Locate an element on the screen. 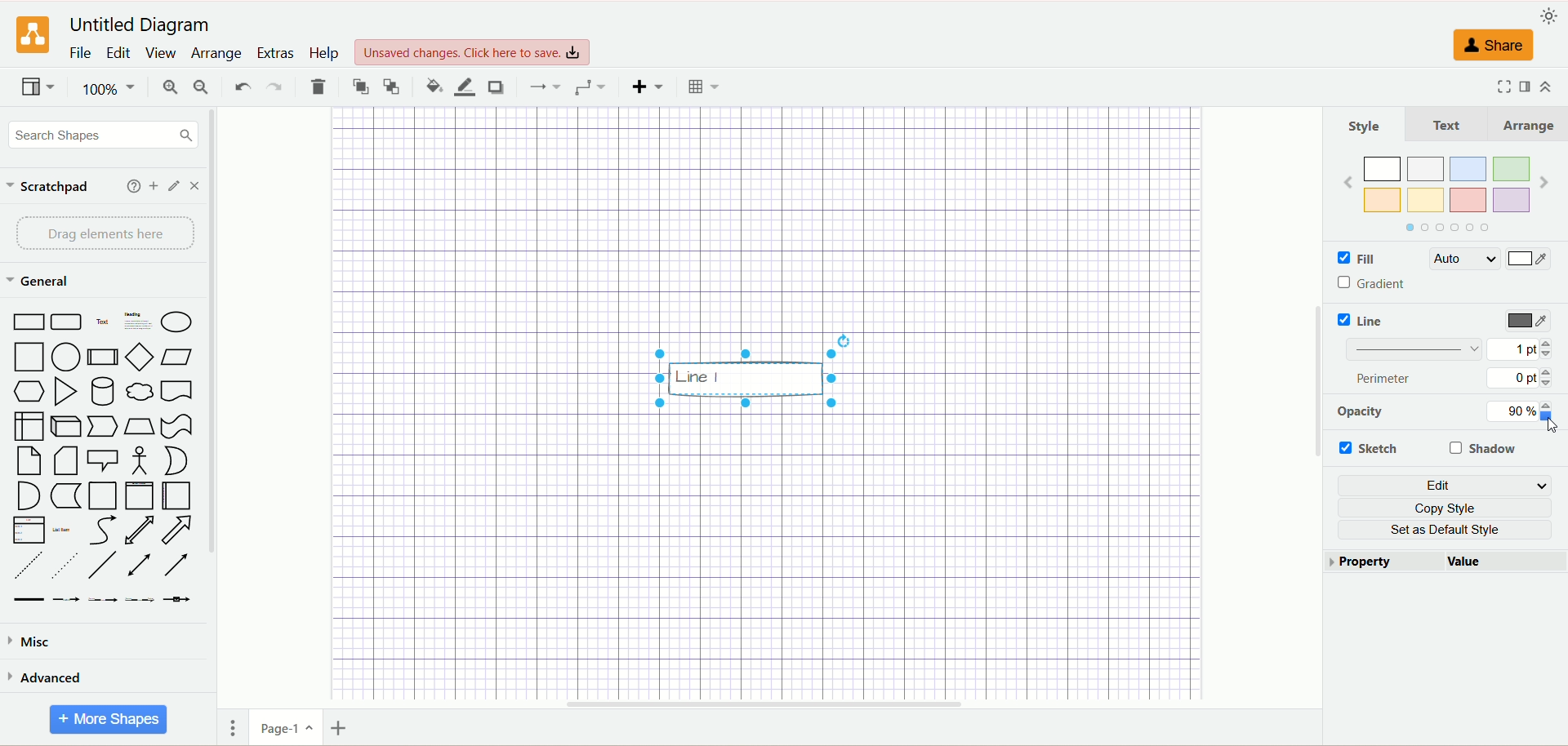  vertical scroll bar is located at coordinates (1312, 408).